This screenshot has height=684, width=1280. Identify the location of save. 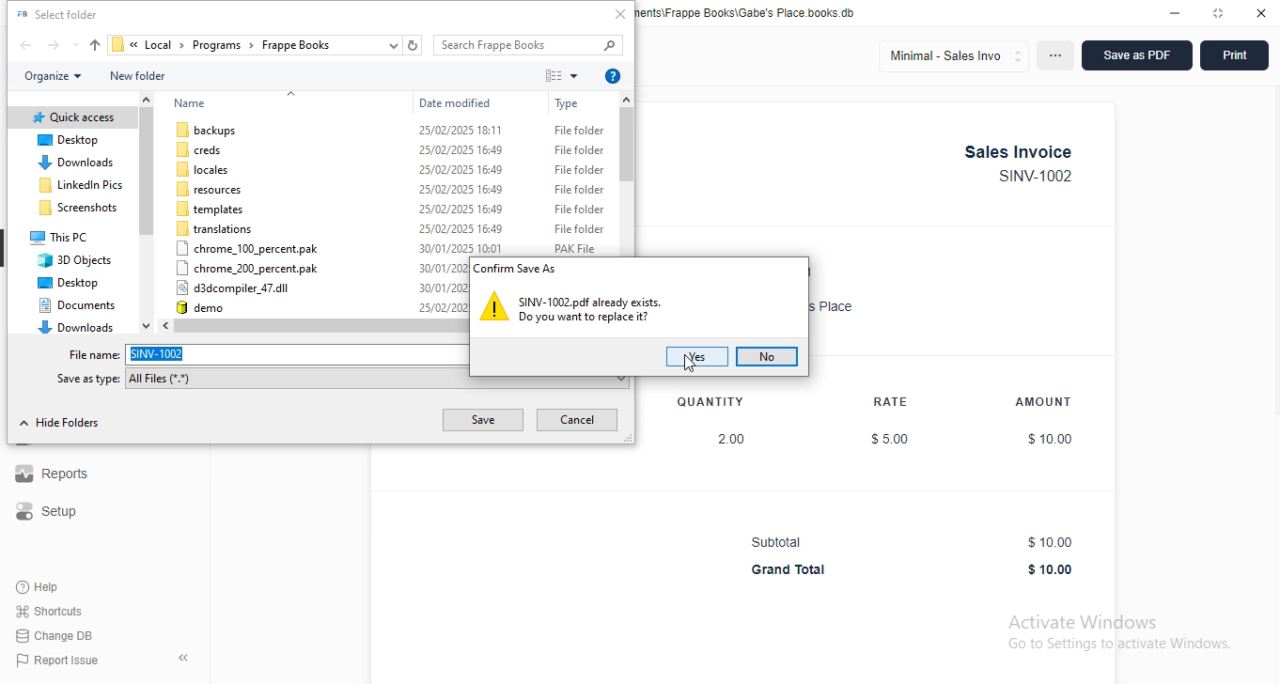
(482, 420).